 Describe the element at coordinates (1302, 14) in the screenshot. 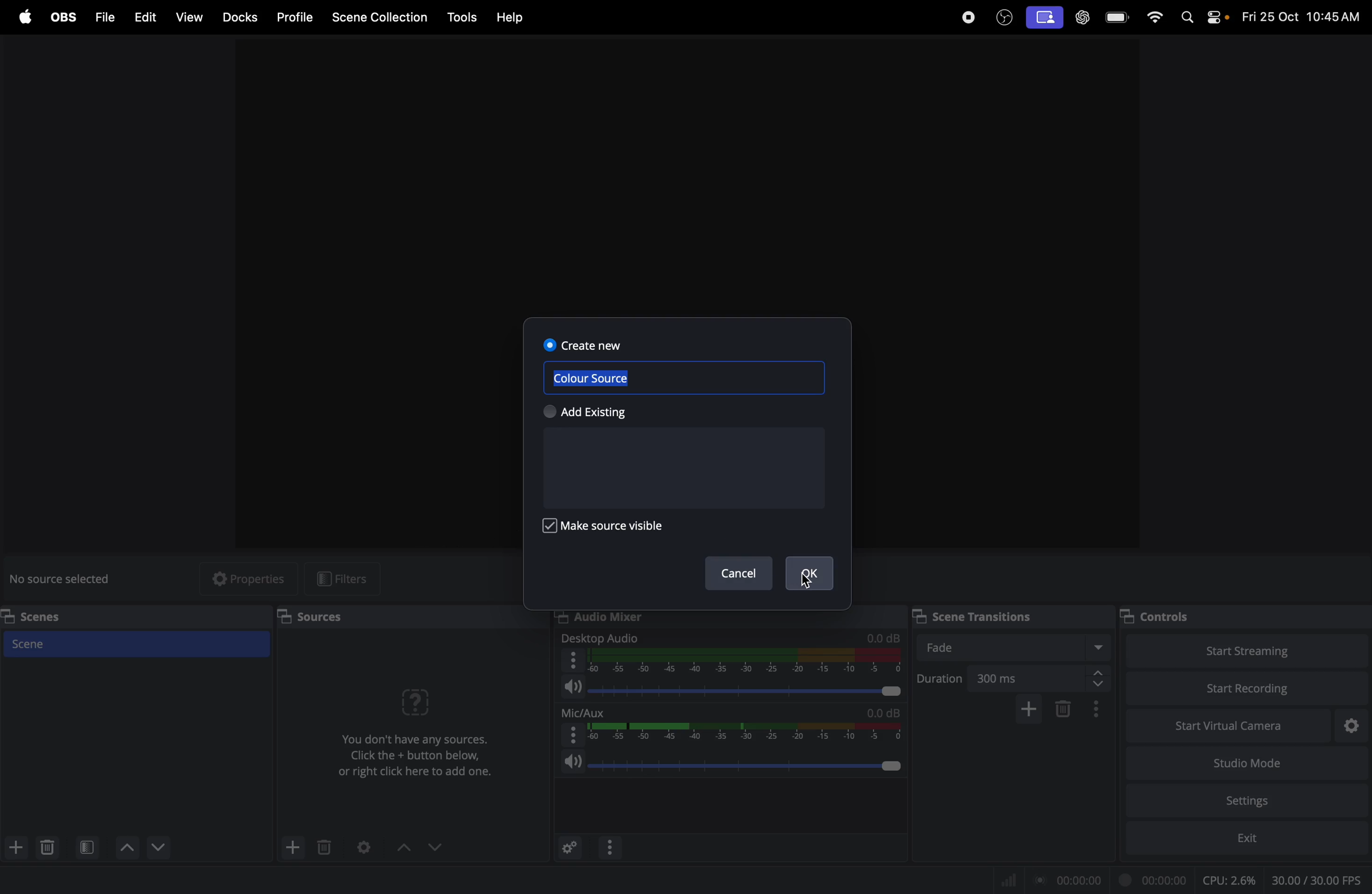

I see `time and date` at that location.